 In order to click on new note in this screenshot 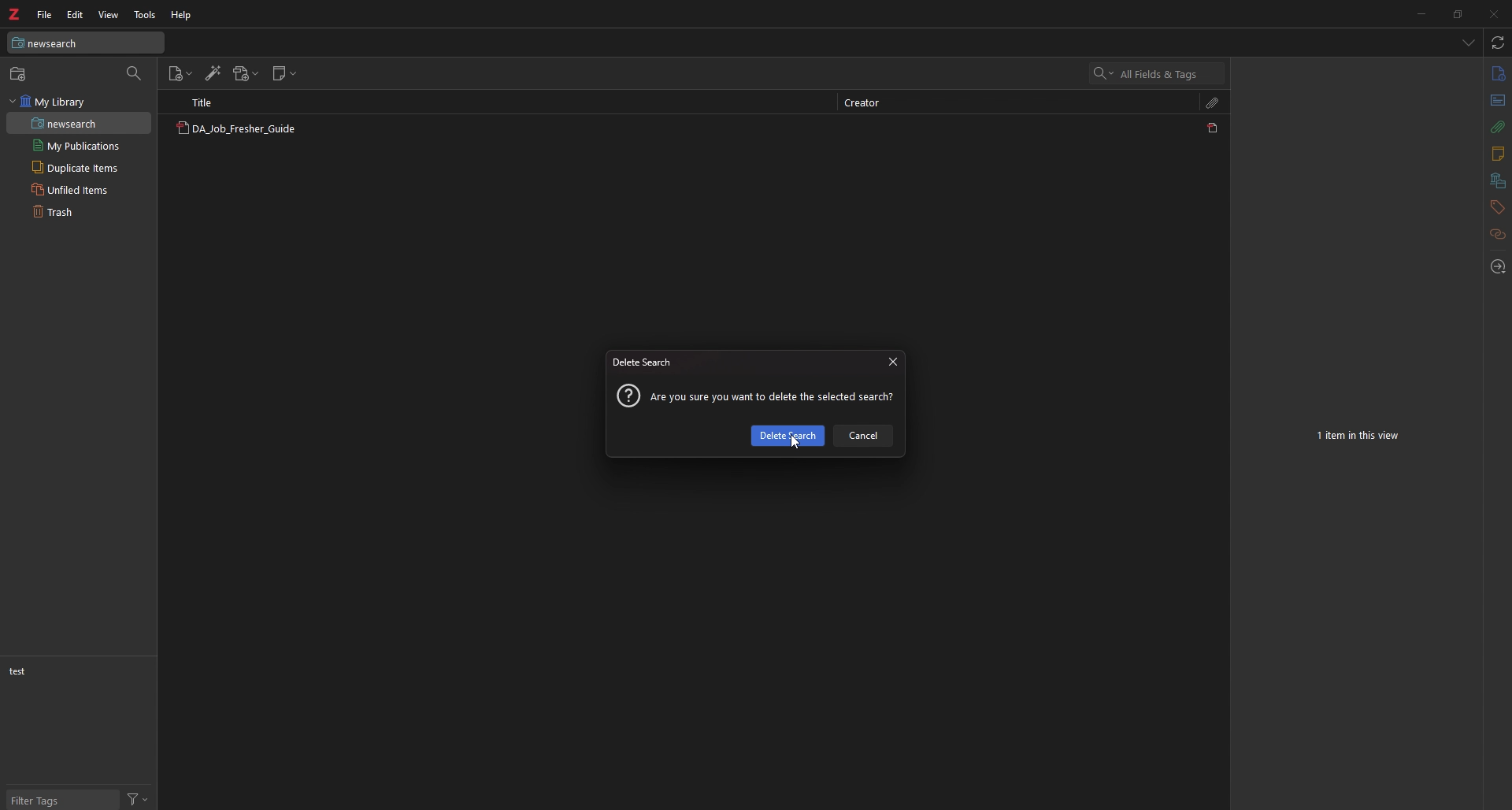, I will do `click(283, 73)`.